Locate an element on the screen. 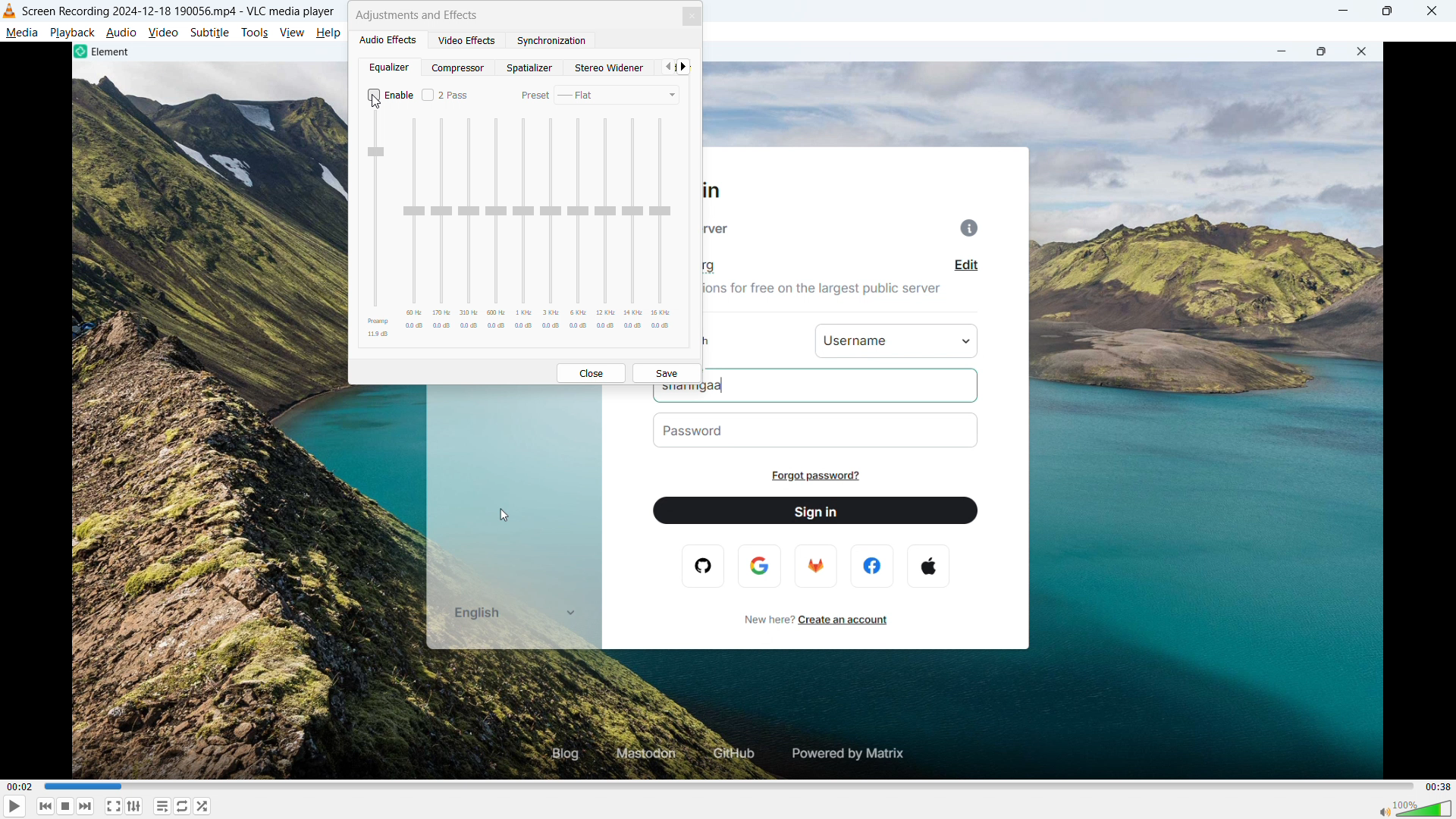  Cursor is located at coordinates (376, 104).